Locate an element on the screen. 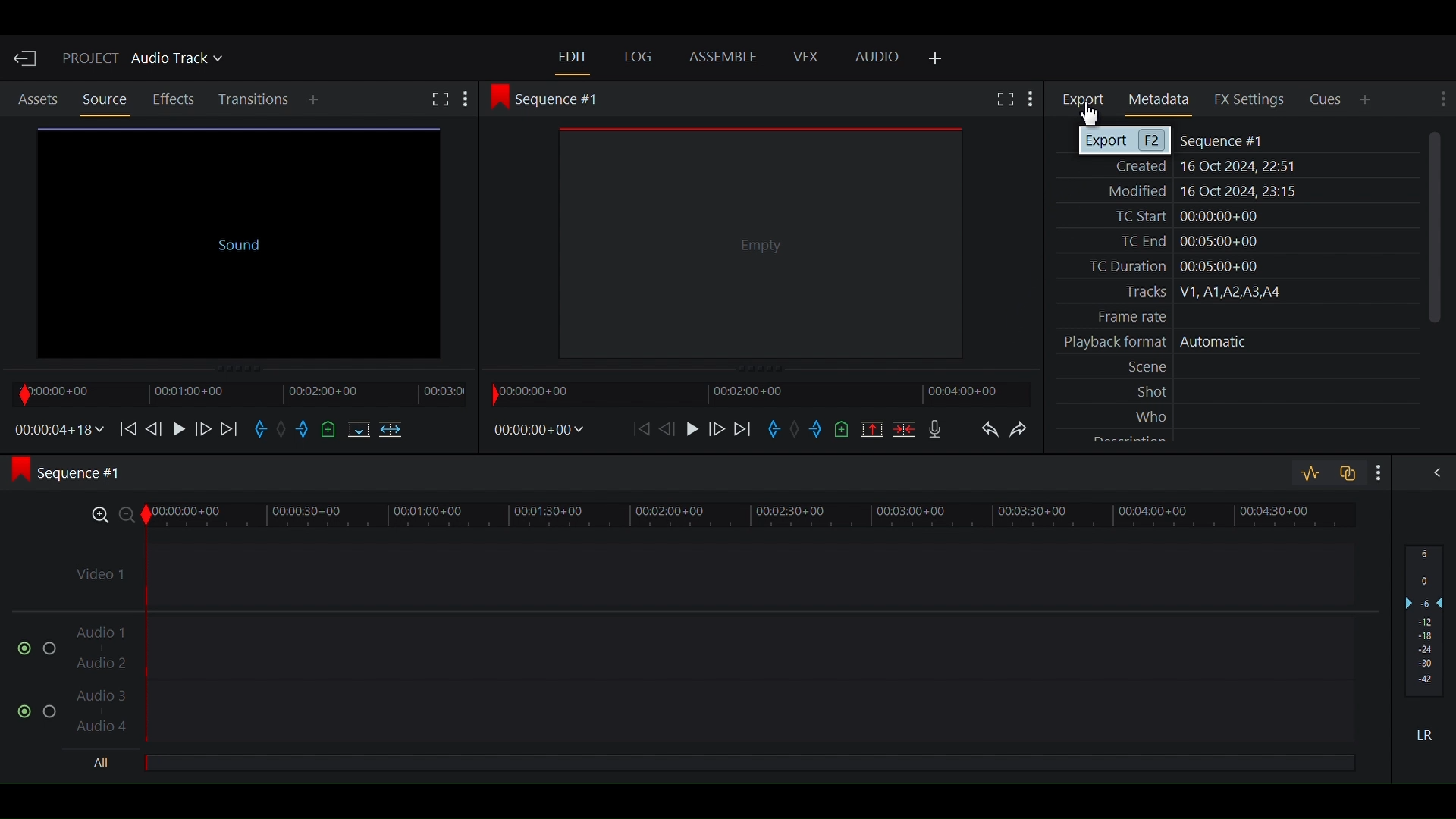 The height and width of the screenshot is (819, 1456). Play is located at coordinates (693, 428).